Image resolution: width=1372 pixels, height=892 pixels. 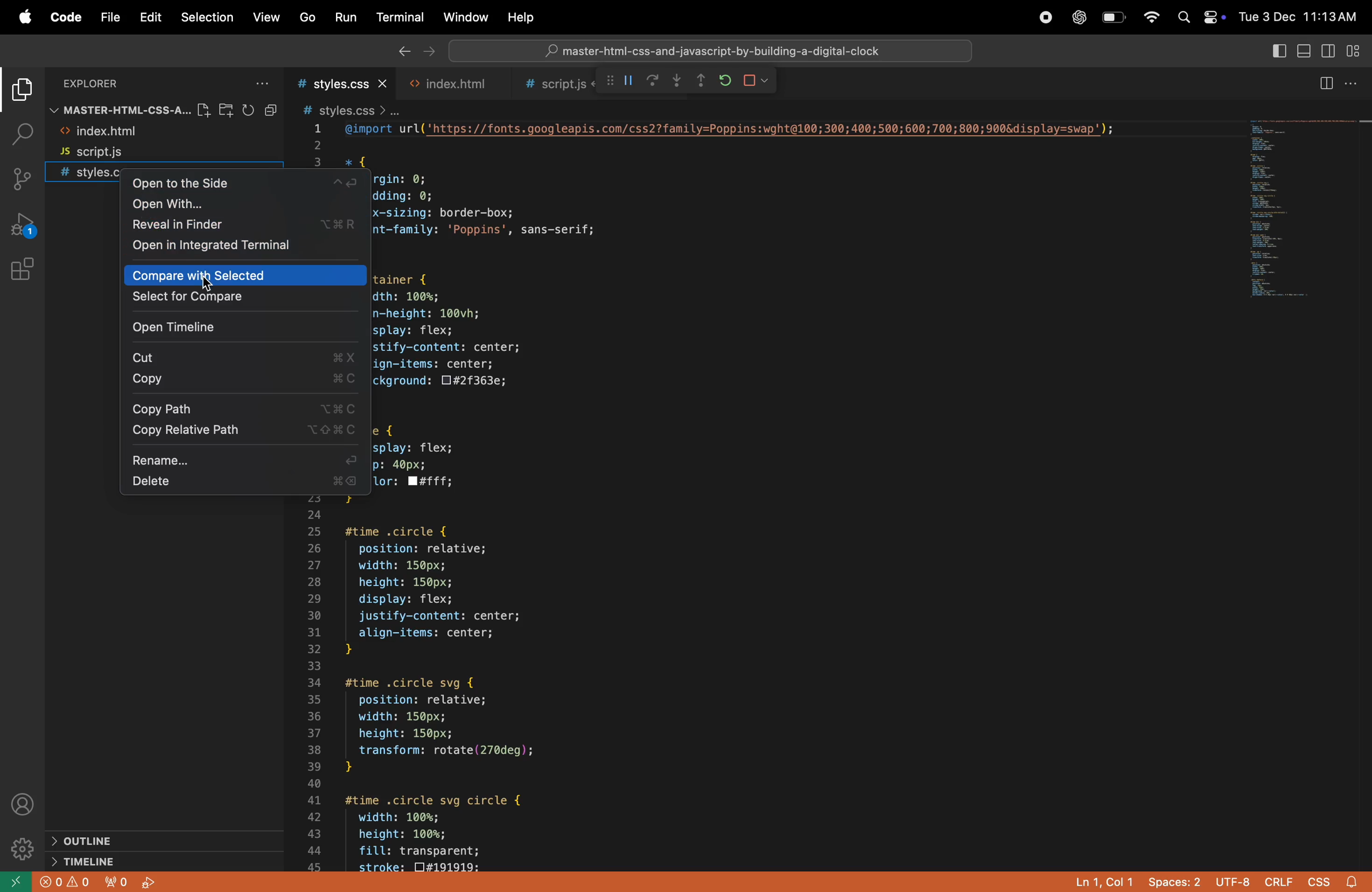 What do you see at coordinates (550, 84) in the screenshot?
I see `script .js` at bounding box center [550, 84].